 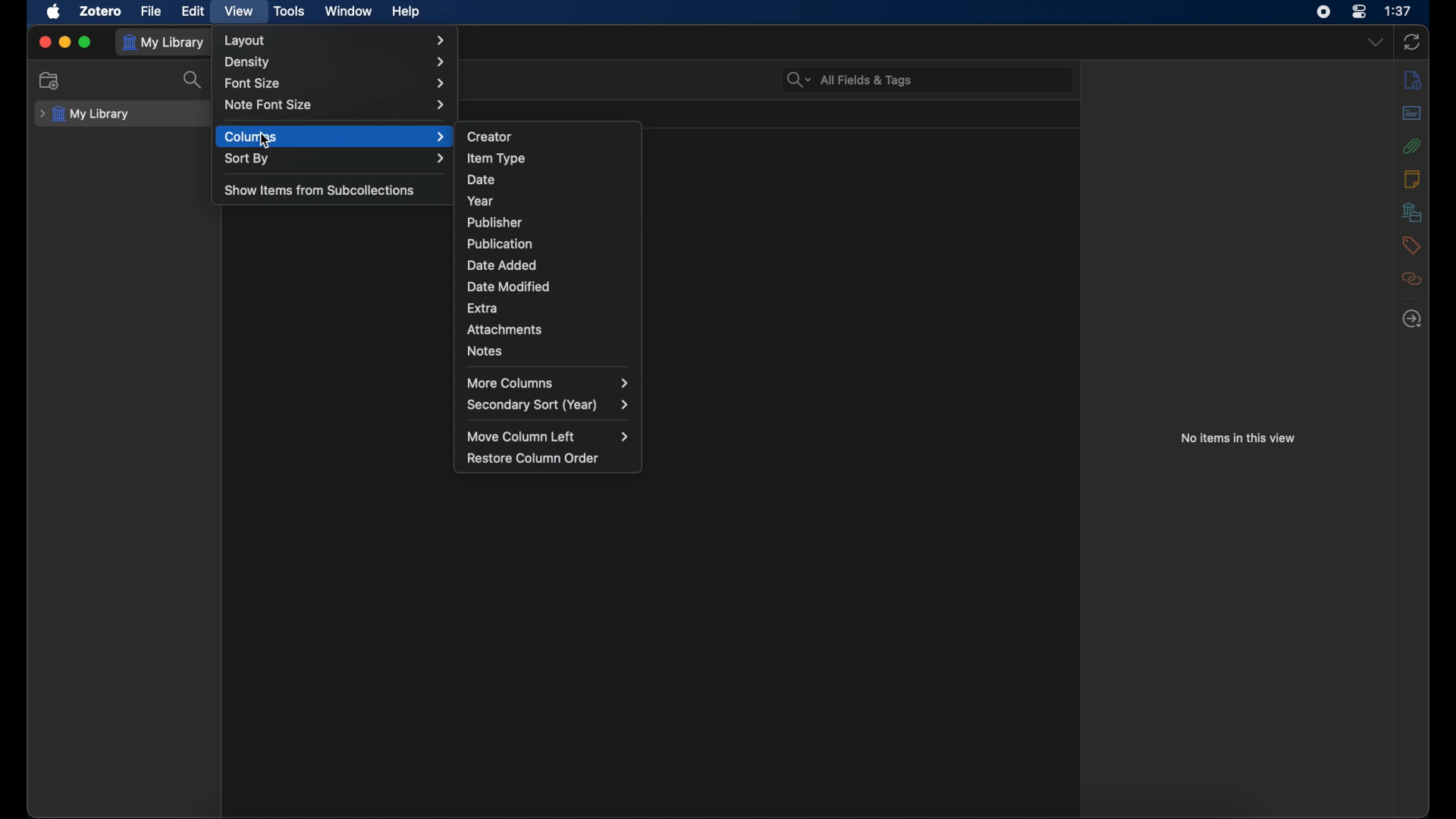 I want to click on secondary sort, so click(x=549, y=405).